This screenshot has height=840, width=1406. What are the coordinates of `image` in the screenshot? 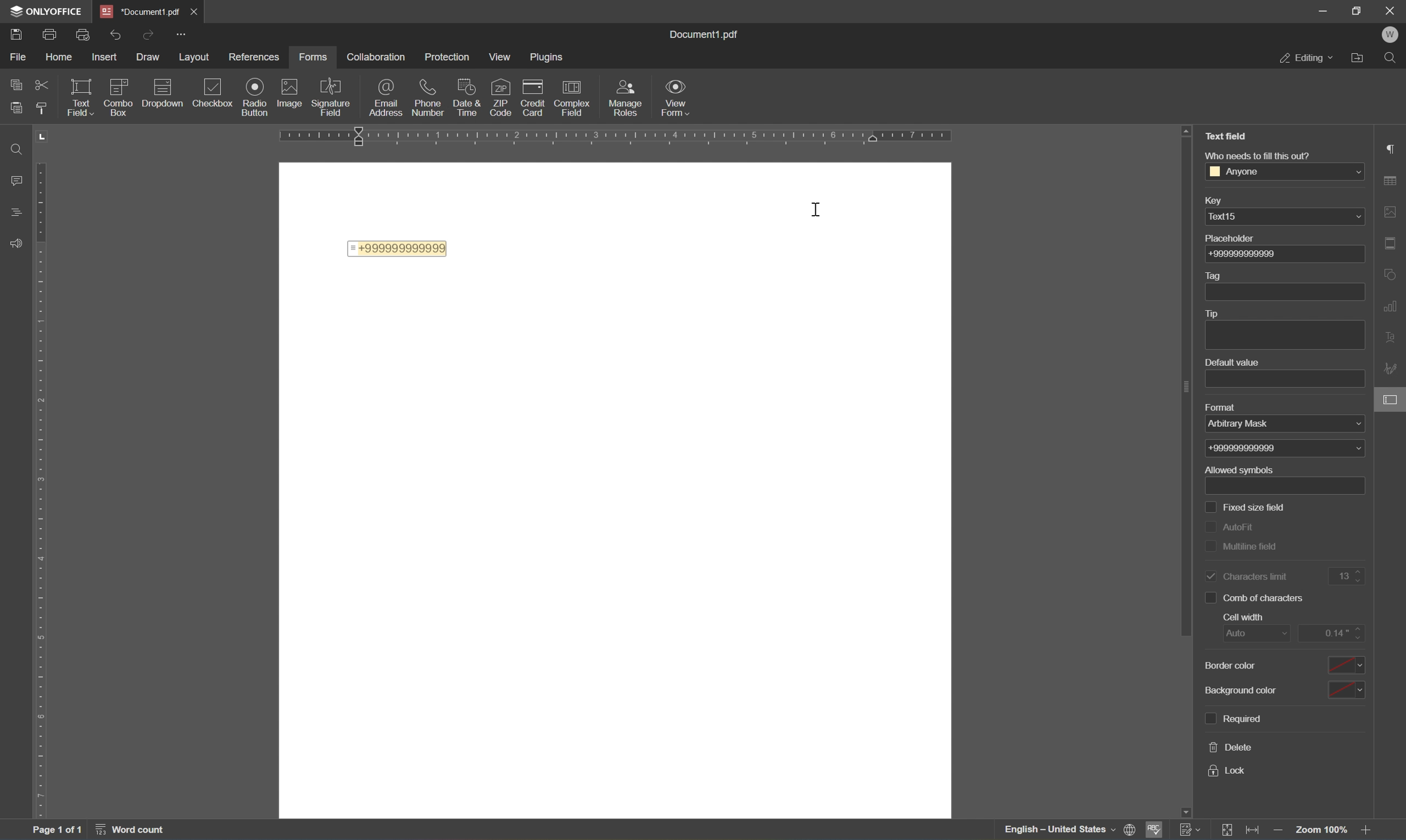 It's located at (292, 95).